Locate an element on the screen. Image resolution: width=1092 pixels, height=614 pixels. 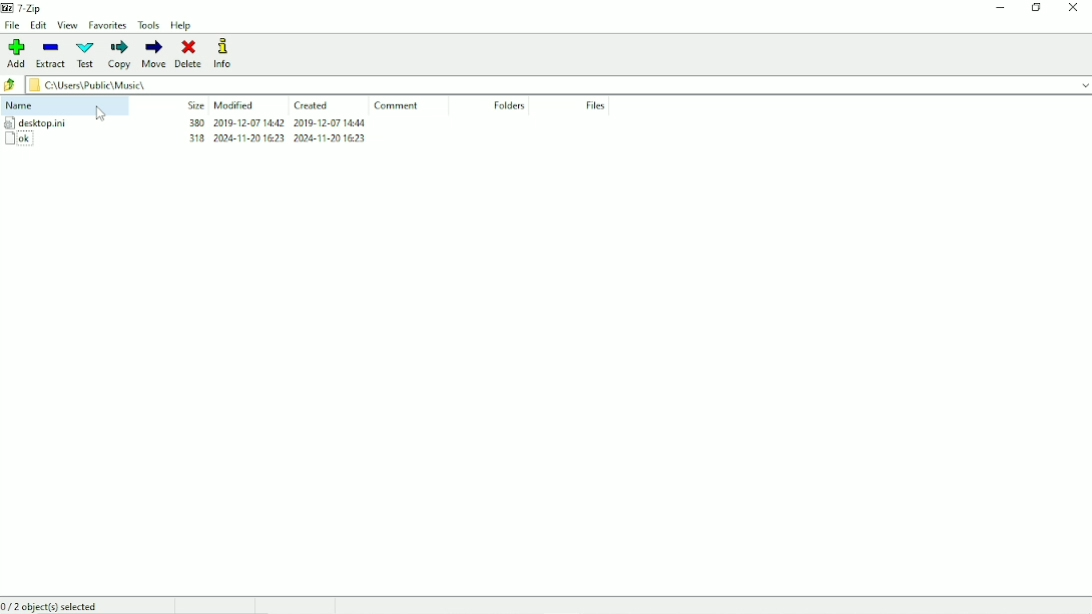
Edit is located at coordinates (39, 25).